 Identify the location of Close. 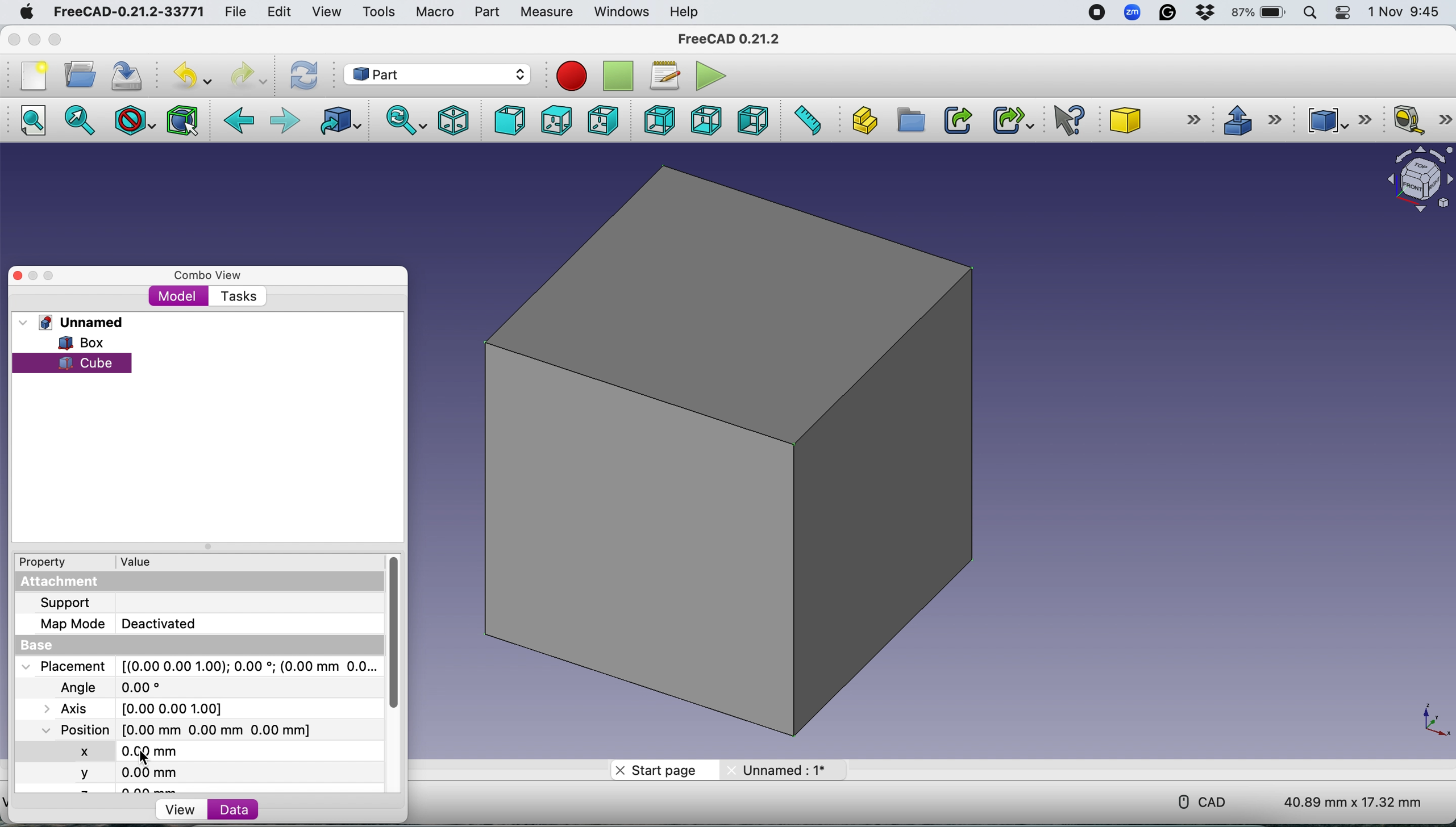
(14, 39).